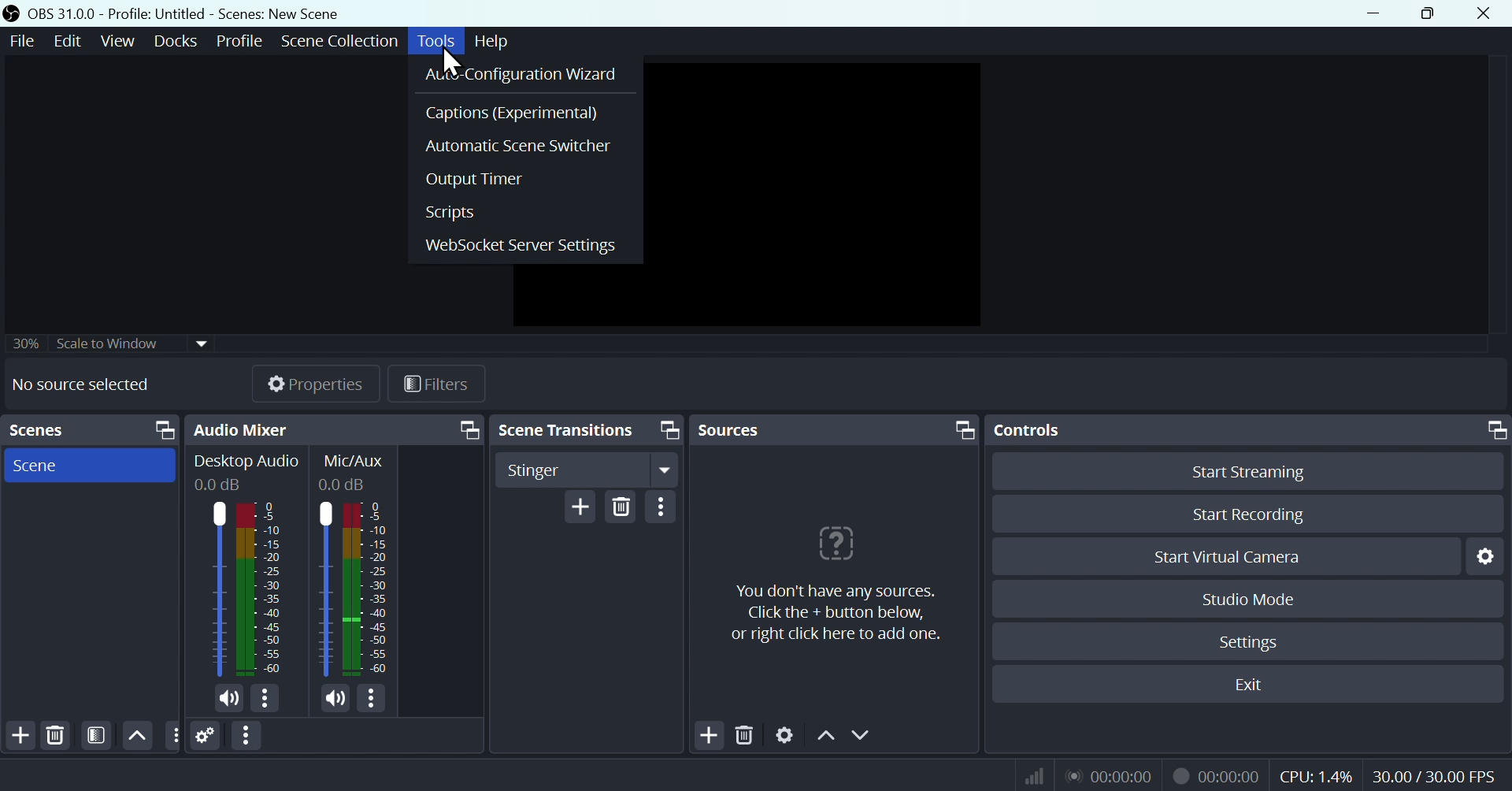 The width and height of the screenshot is (1512, 791). What do you see at coordinates (439, 41) in the screenshot?
I see `Tools` at bounding box center [439, 41].